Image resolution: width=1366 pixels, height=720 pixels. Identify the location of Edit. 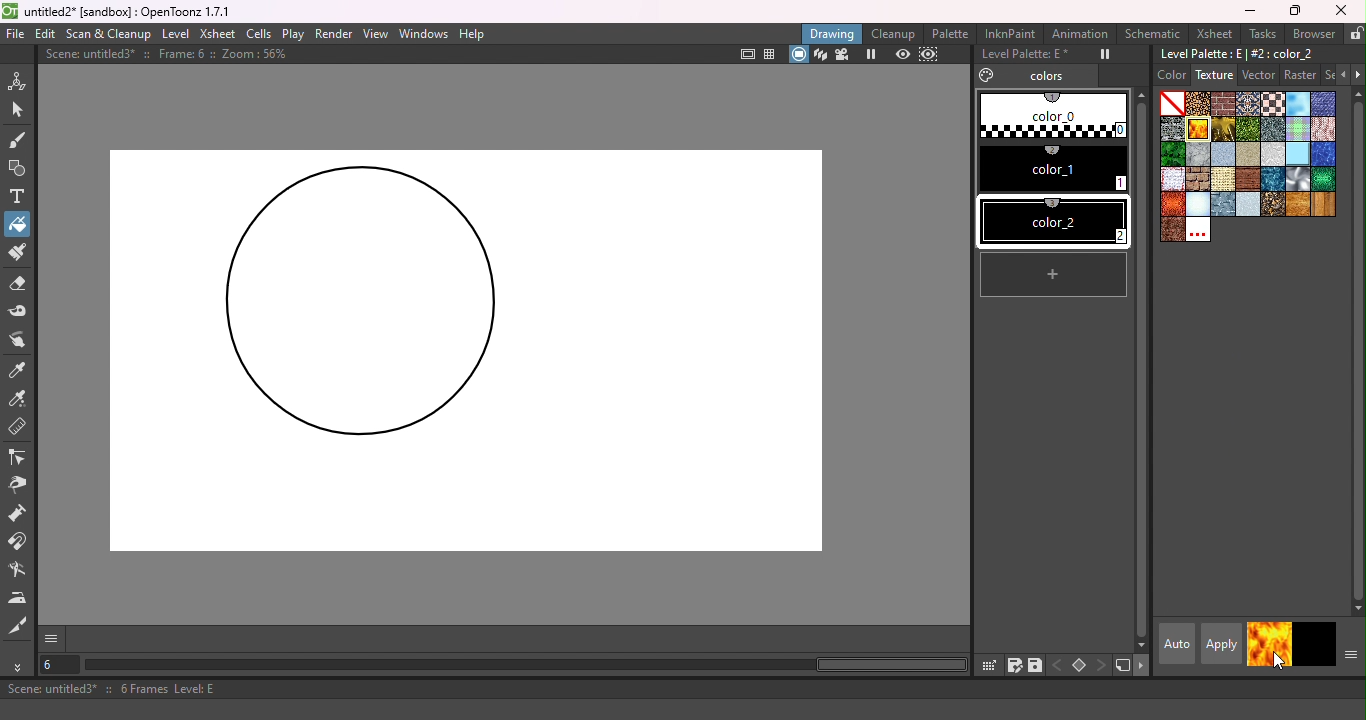
(46, 34).